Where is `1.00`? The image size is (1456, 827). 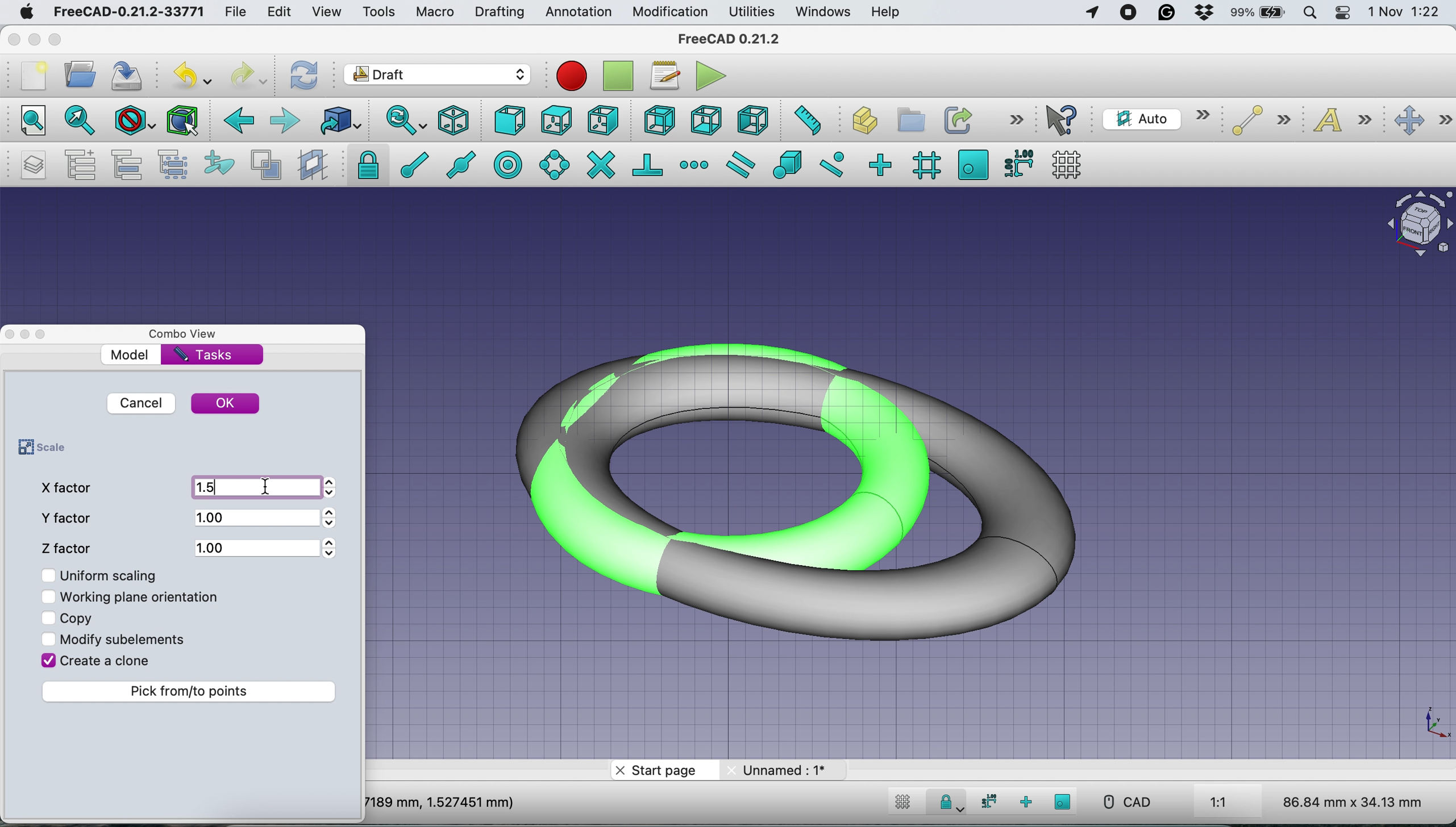
1.00 is located at coordinates (253, 517).